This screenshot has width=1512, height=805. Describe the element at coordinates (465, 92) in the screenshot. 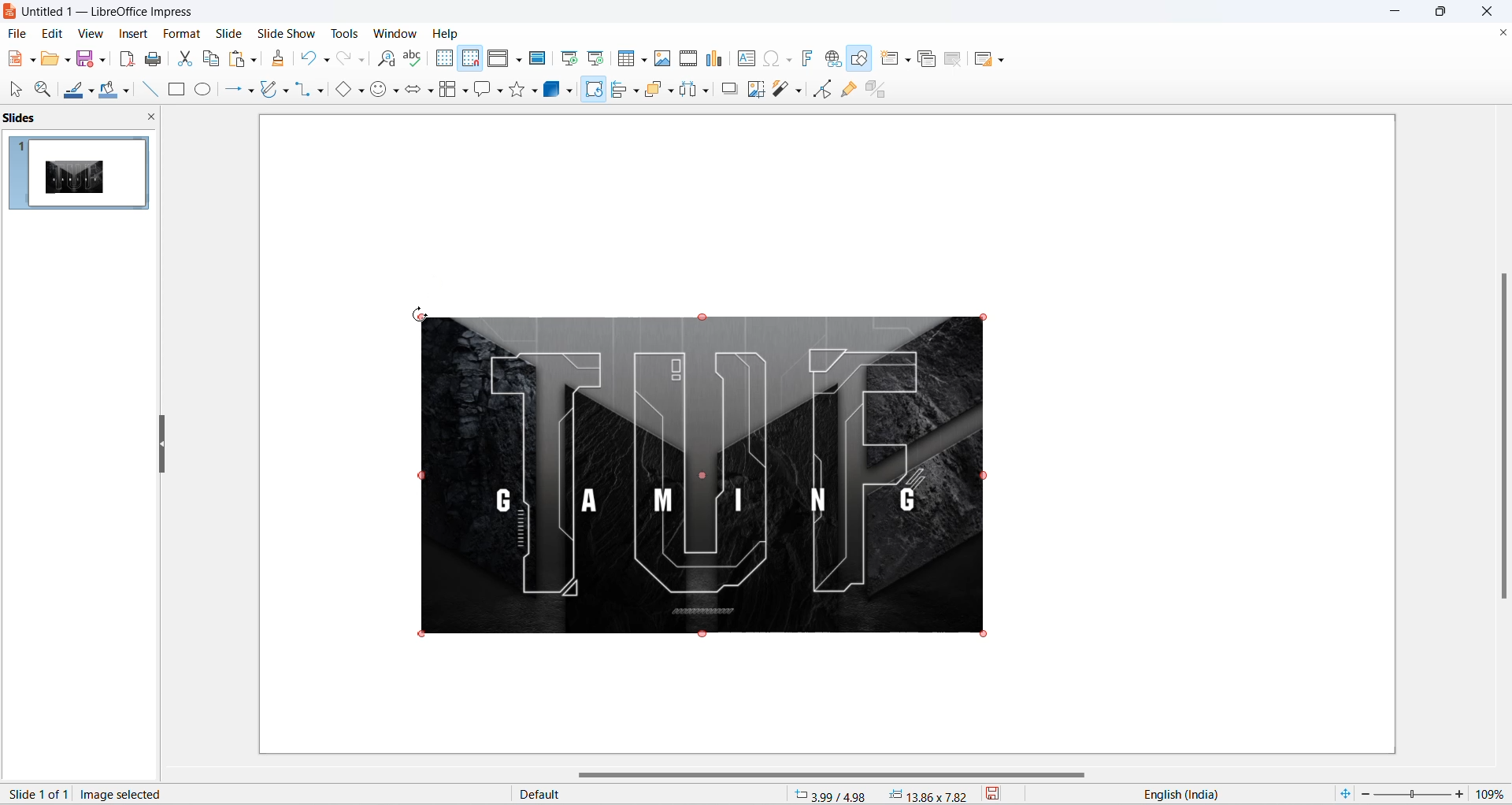

I see `flow chart options` at that location.